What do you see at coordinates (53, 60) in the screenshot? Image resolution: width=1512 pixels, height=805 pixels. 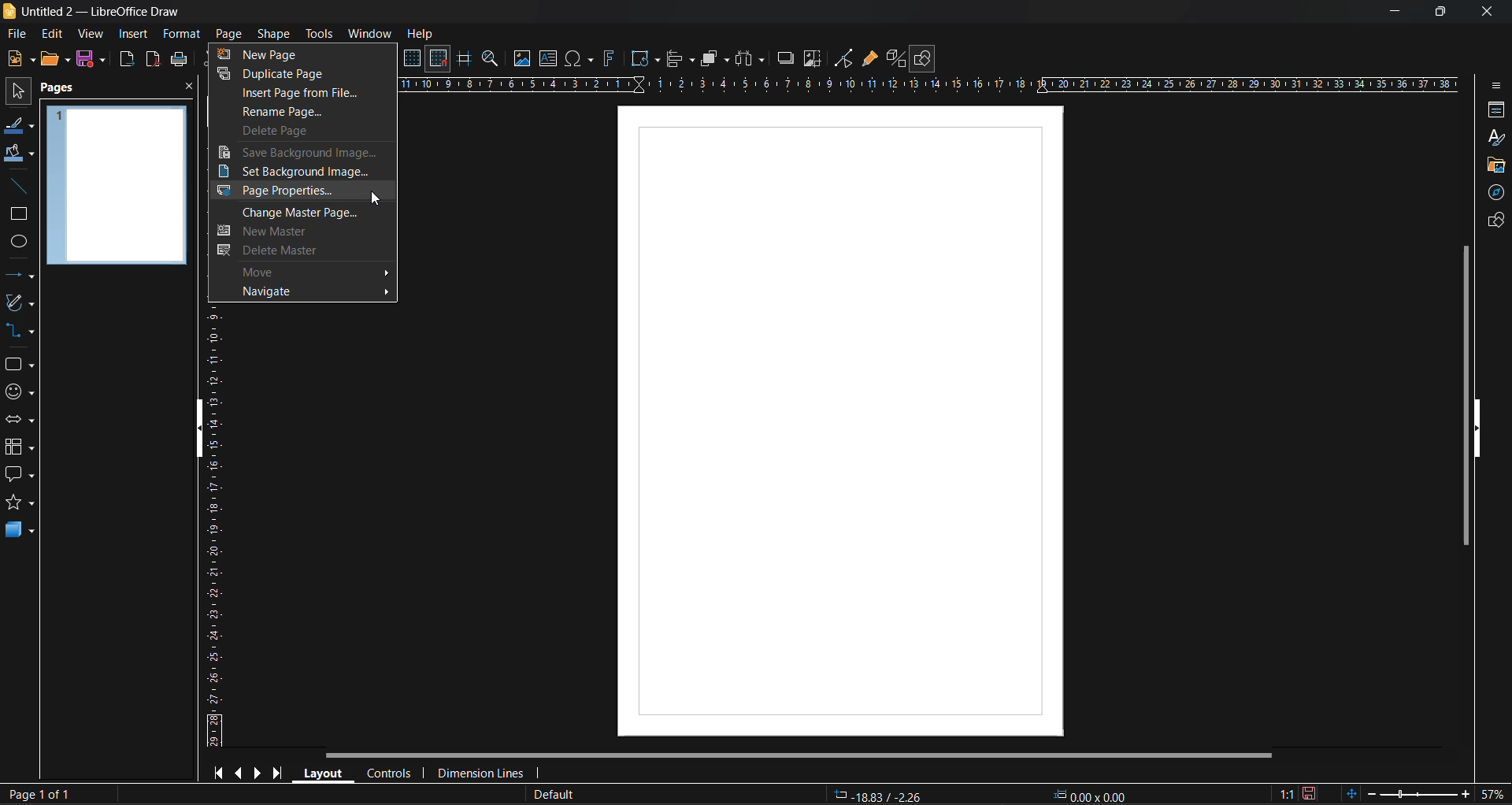 I see `open` at bounding box center [53, 60].